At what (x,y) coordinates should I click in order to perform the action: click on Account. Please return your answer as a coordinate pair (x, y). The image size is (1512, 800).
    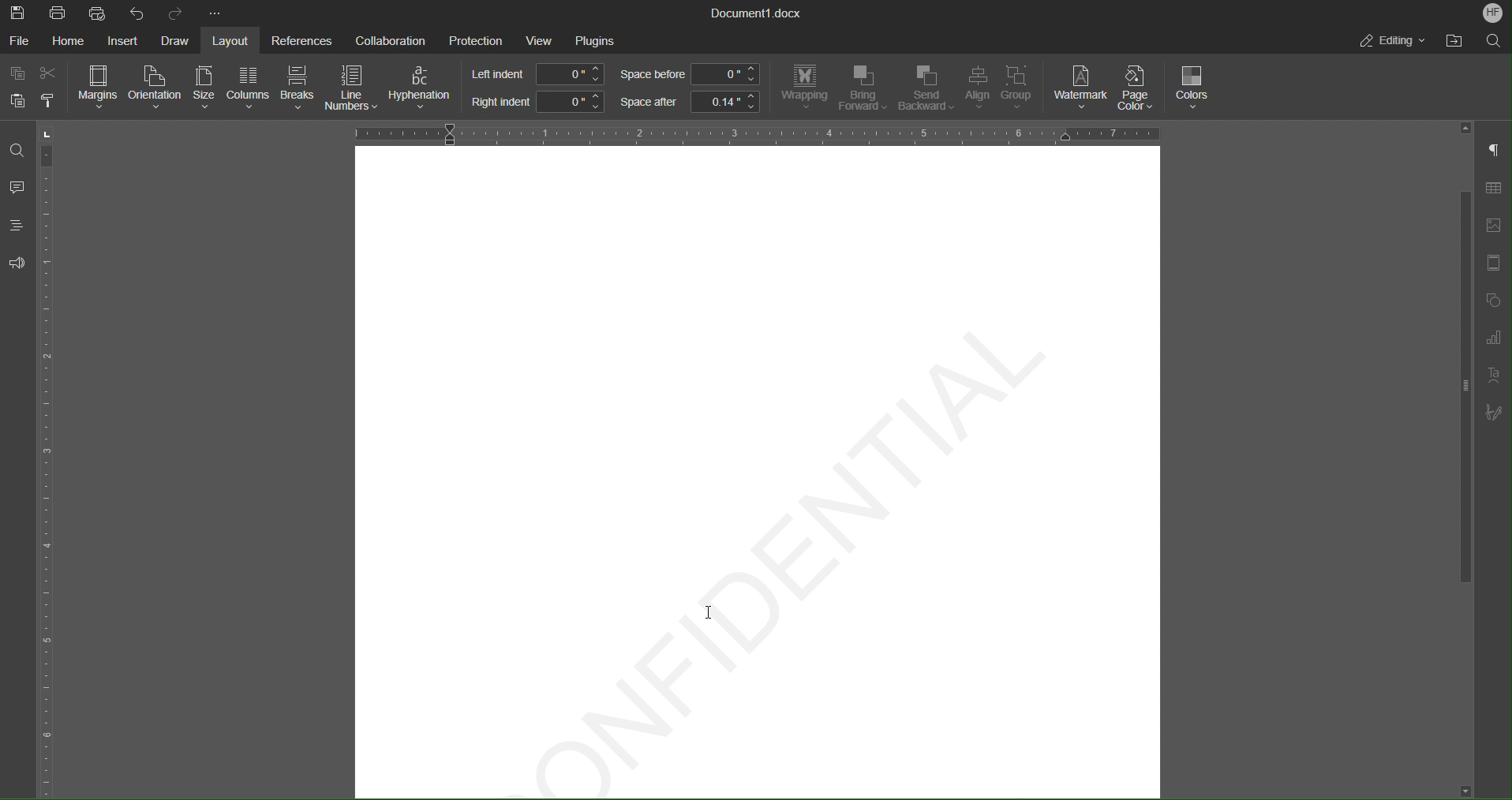
    Looking at the image, I should click on (1493, 13).